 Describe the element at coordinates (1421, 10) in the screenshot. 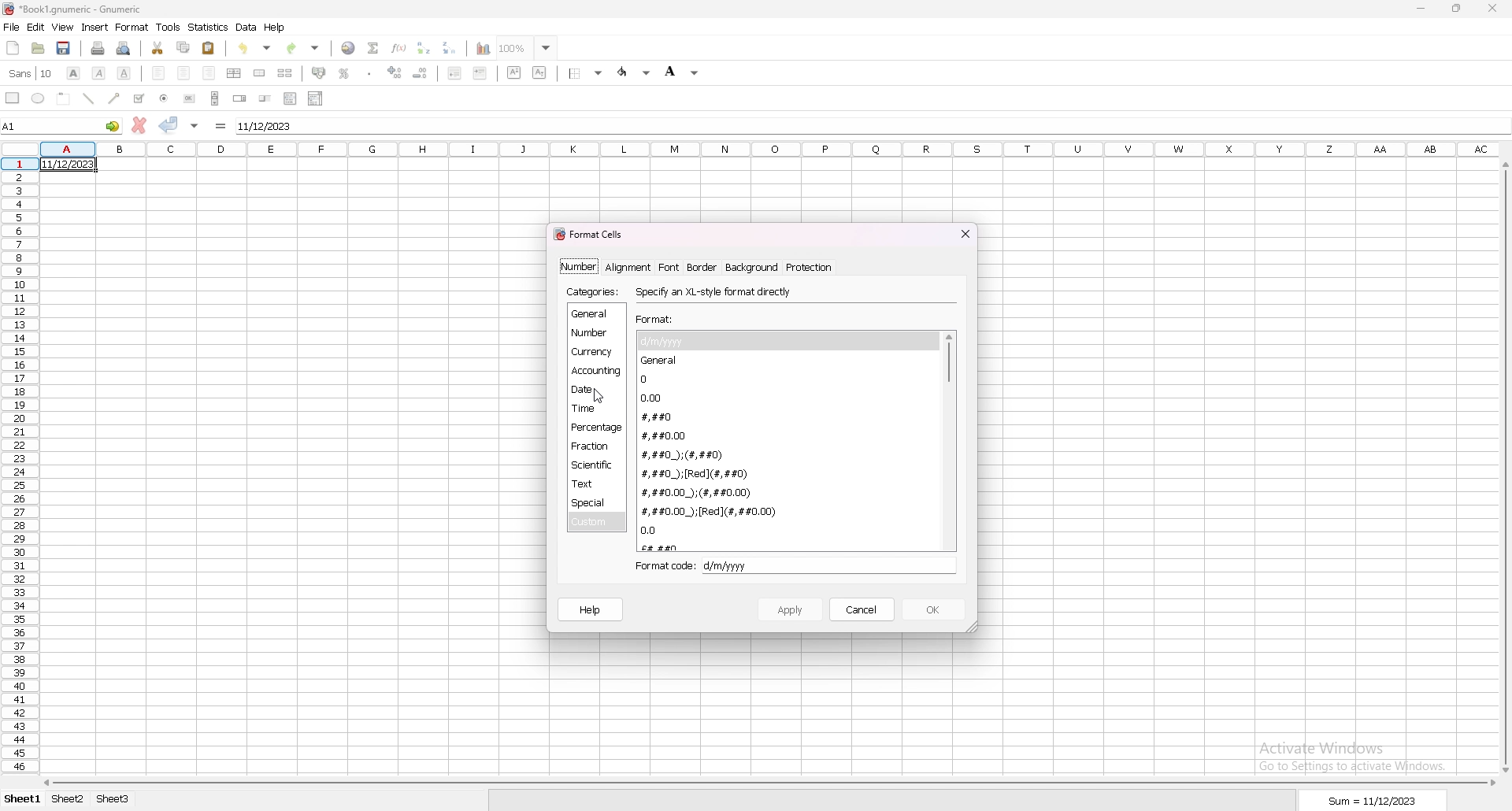

I see `minimize` at that location.